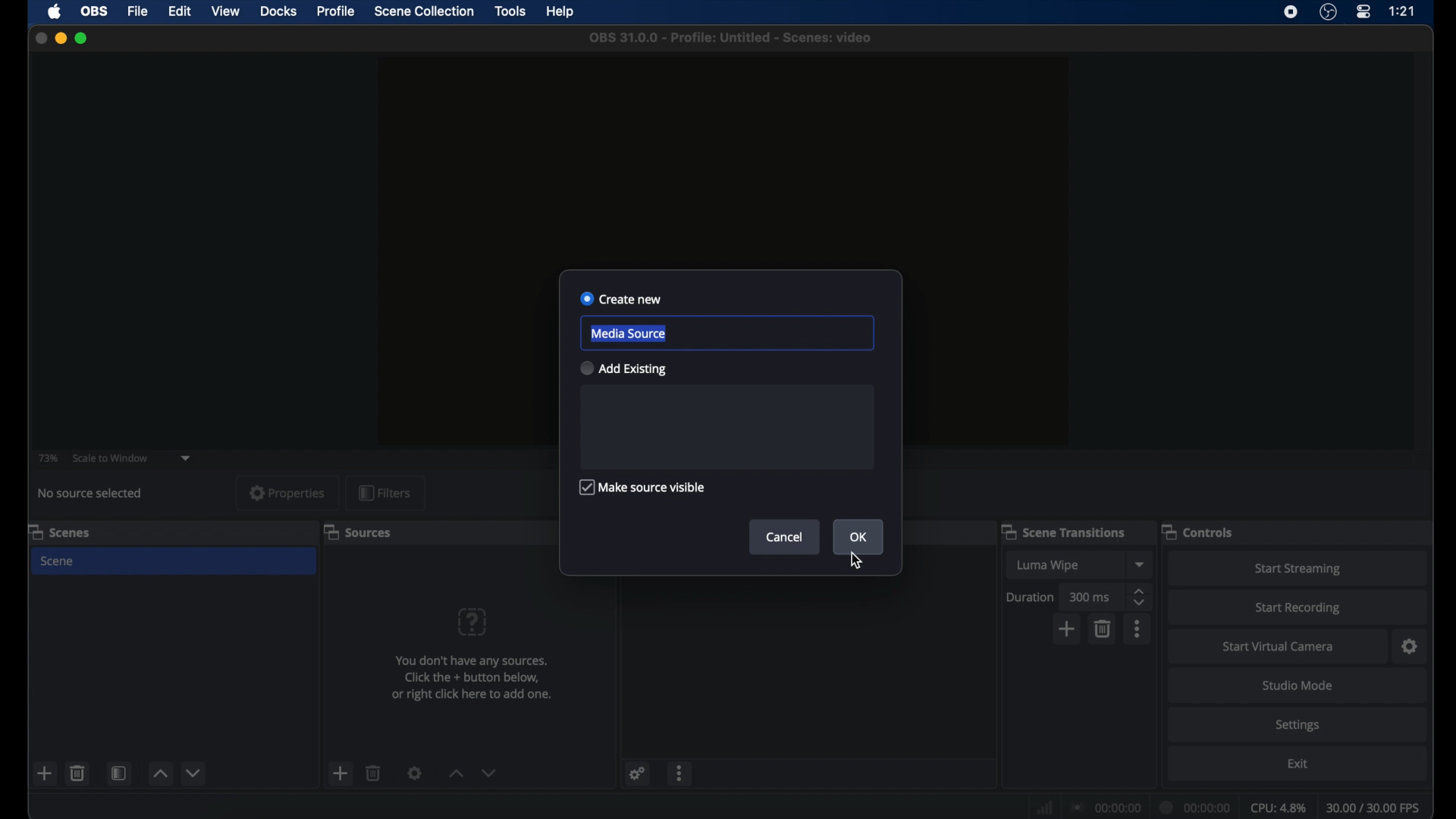  What do you see at coordinates (1068, 629) in the screenshot?
I see `add` at bounding box center [1068, 629].